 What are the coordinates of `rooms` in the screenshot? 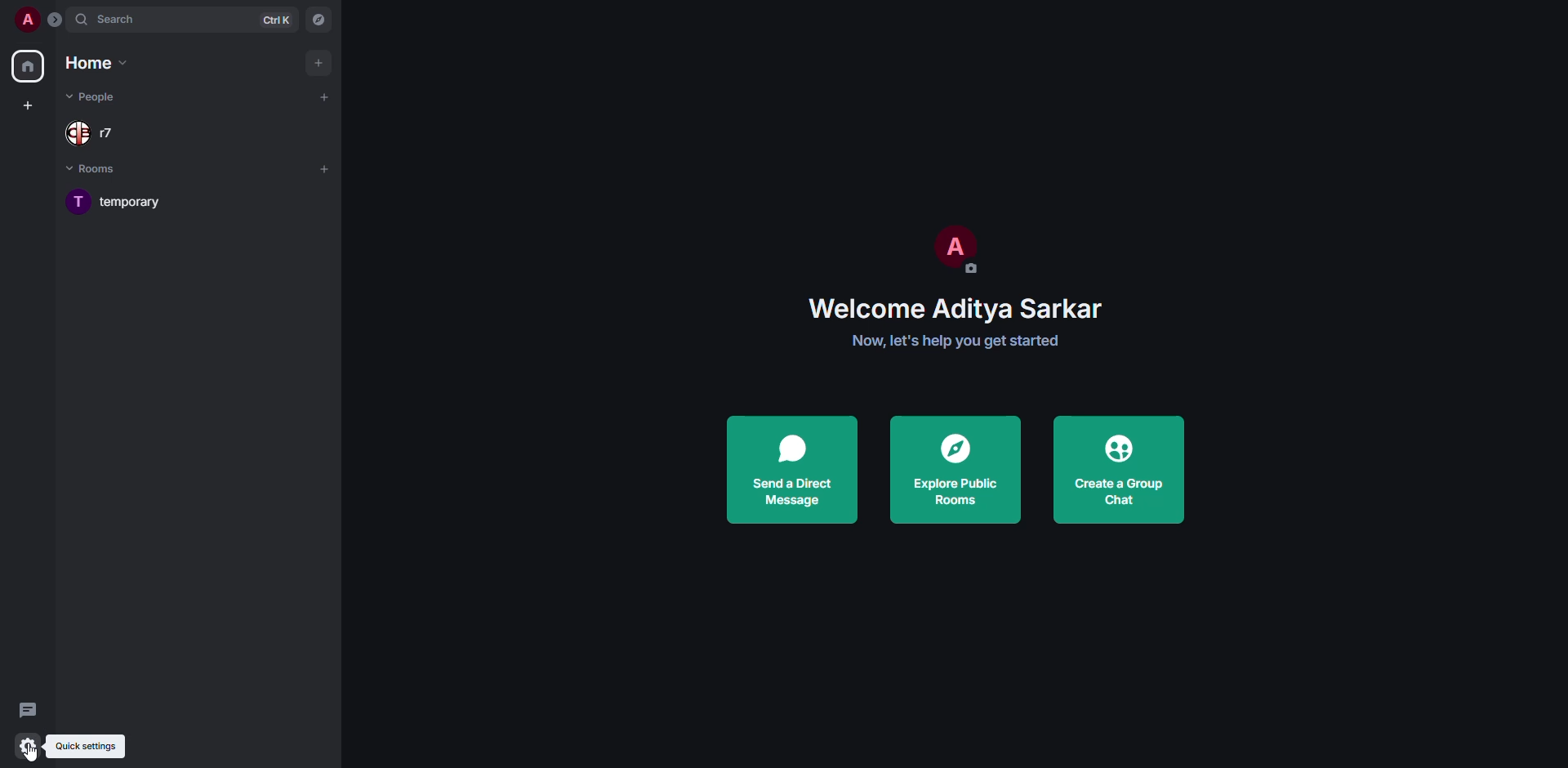 It's located at (101, 171).